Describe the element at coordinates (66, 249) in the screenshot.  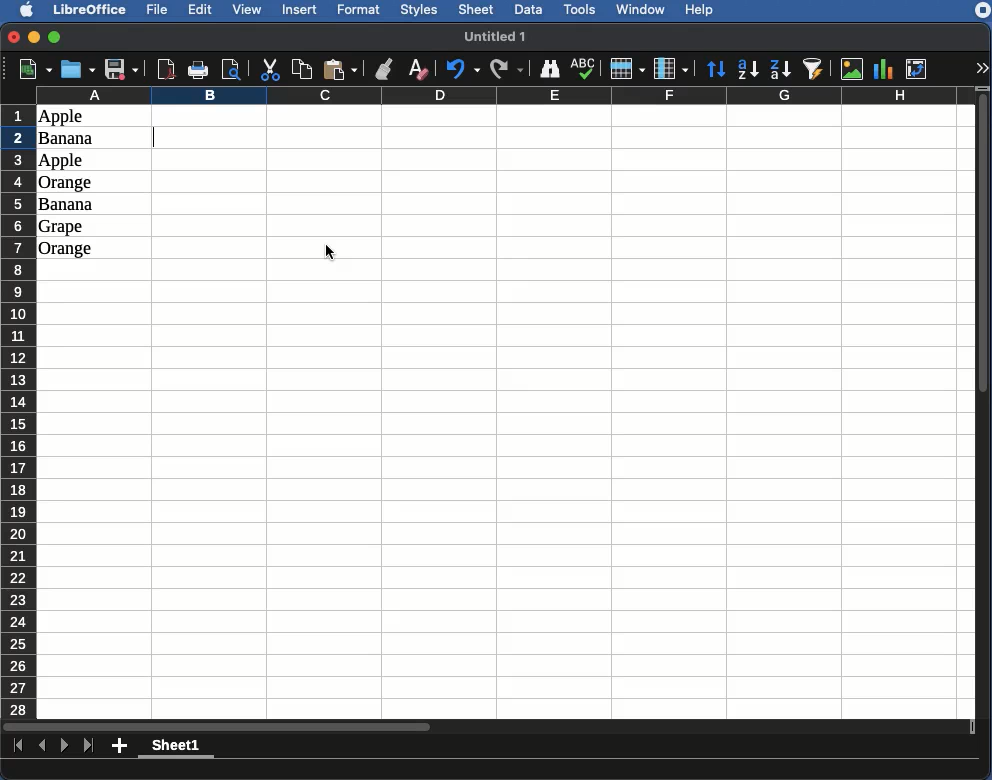
I see `Orange` at that location.